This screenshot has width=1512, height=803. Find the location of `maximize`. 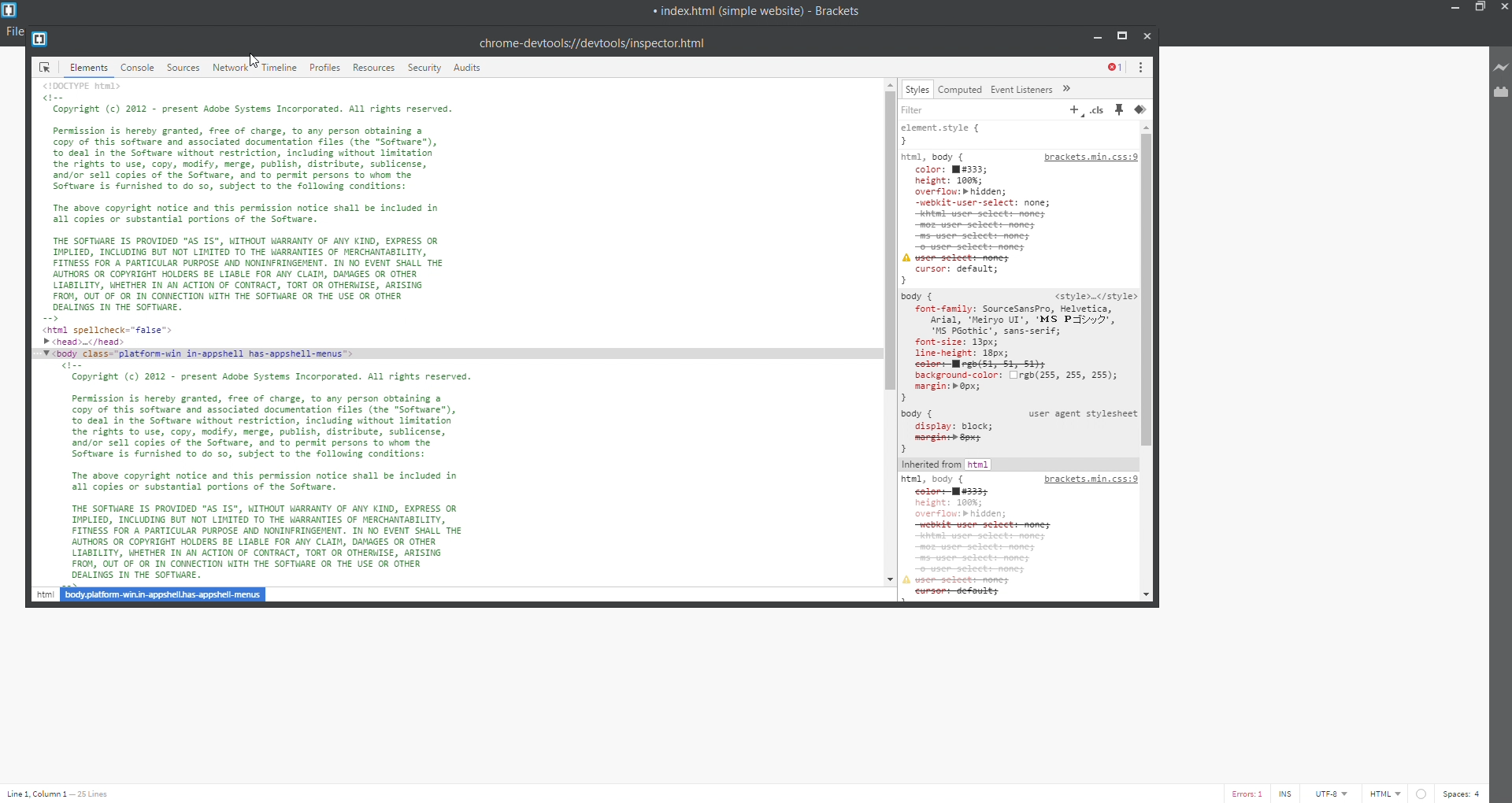

maximize is located at coordinates (1122, 37).